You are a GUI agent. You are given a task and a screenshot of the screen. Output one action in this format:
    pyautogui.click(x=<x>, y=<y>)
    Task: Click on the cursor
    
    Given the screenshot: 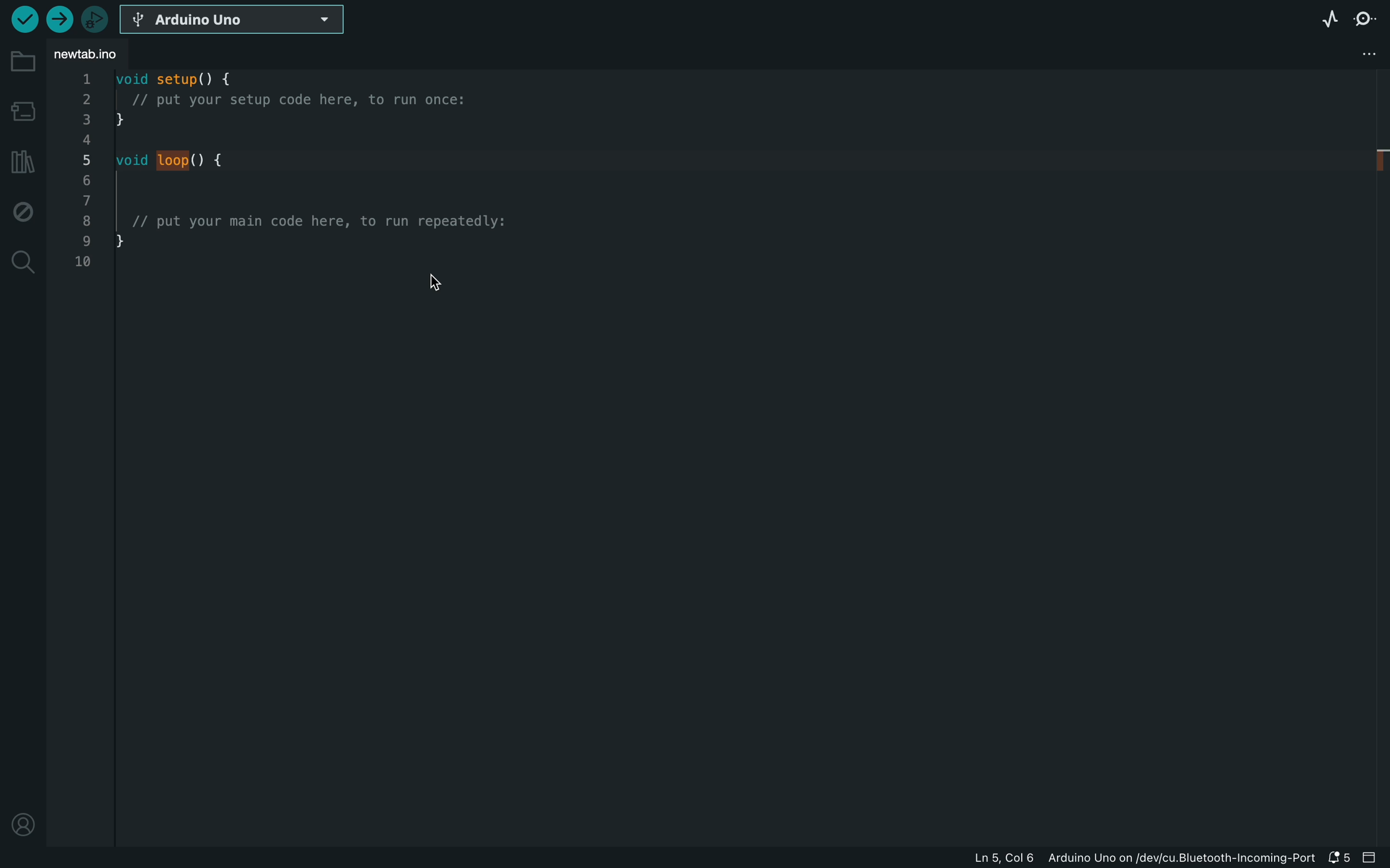 What is the action you would take?
    pyautogui.click(x=442, y=280)
    